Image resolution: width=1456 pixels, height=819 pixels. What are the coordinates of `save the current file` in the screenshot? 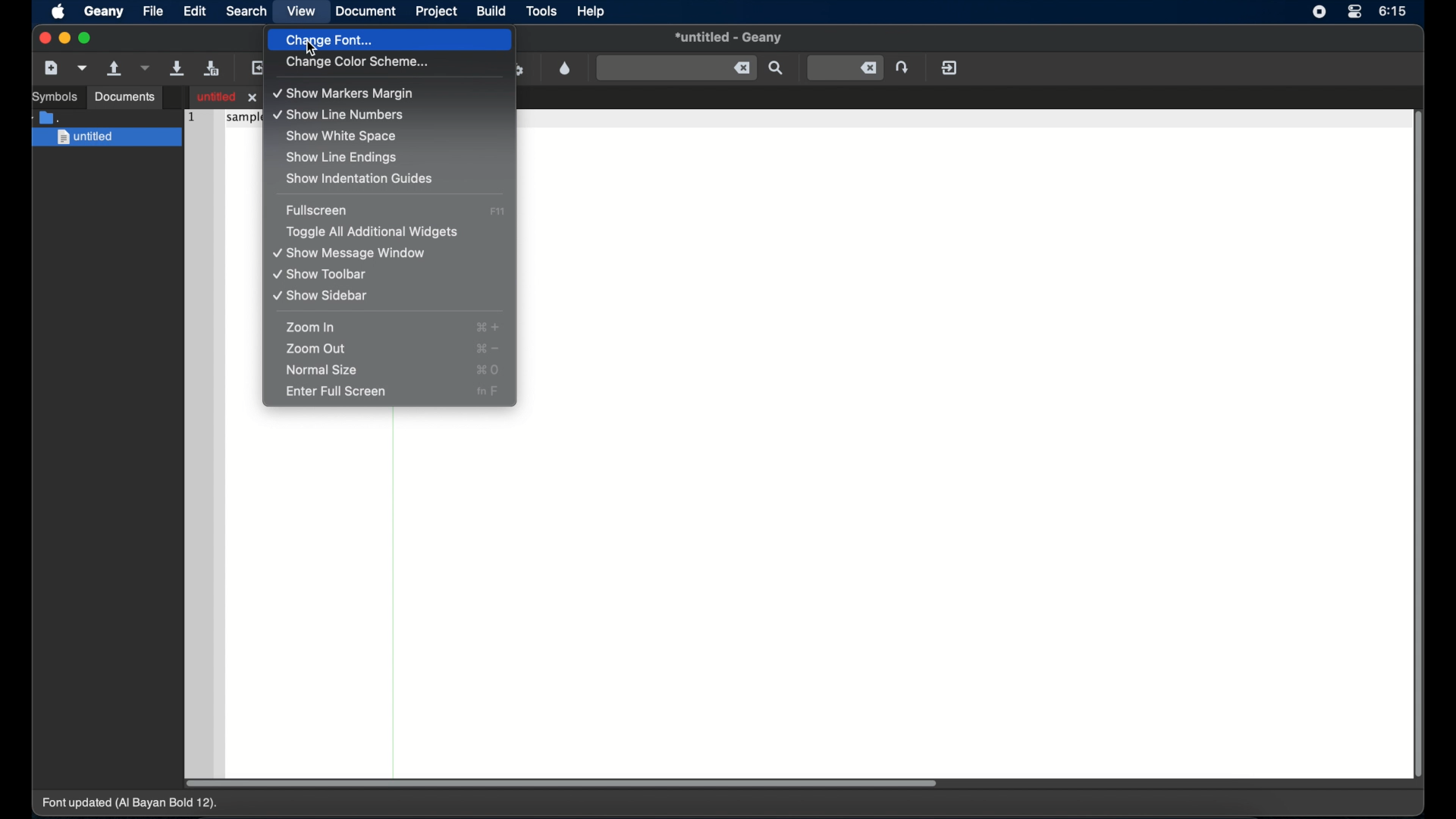 It's located at (177, 67).